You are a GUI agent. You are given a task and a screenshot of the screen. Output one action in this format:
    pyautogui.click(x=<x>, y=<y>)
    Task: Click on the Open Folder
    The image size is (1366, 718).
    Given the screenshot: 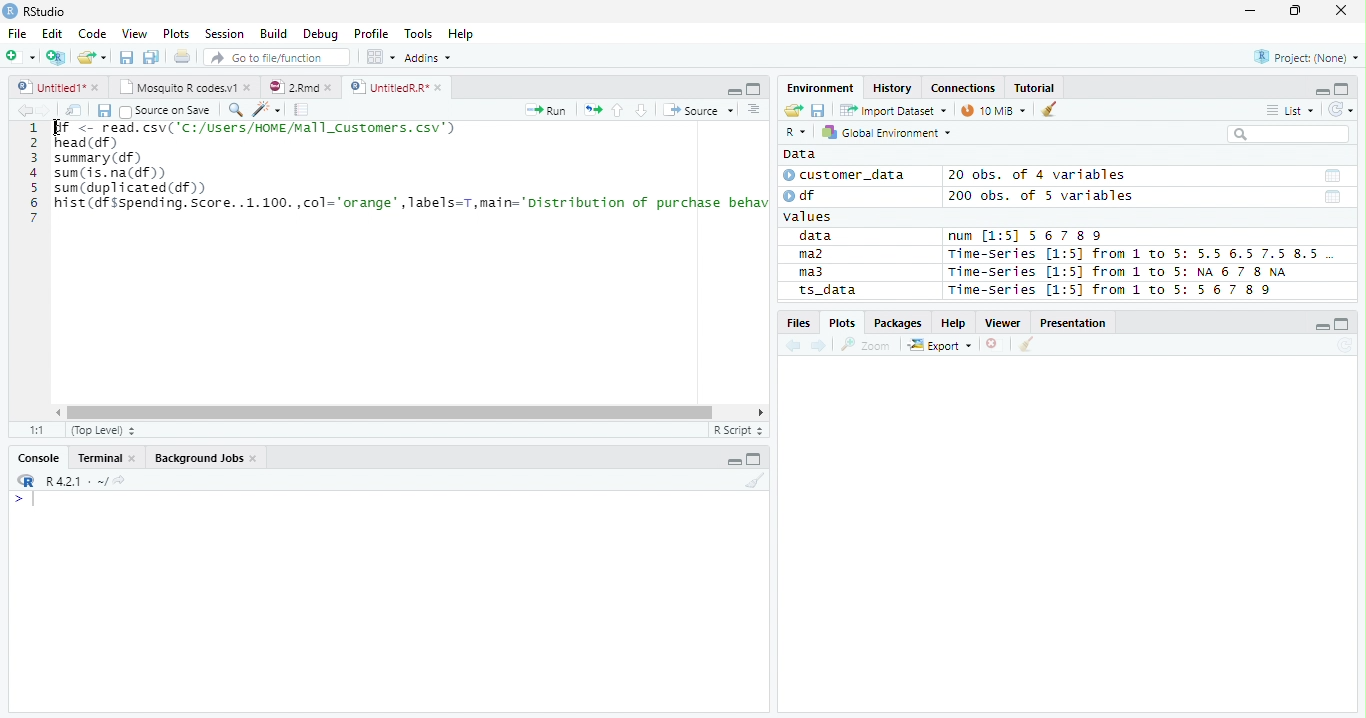 What is the action you would take?
    pyautogui.click(x=93, y=56)
    